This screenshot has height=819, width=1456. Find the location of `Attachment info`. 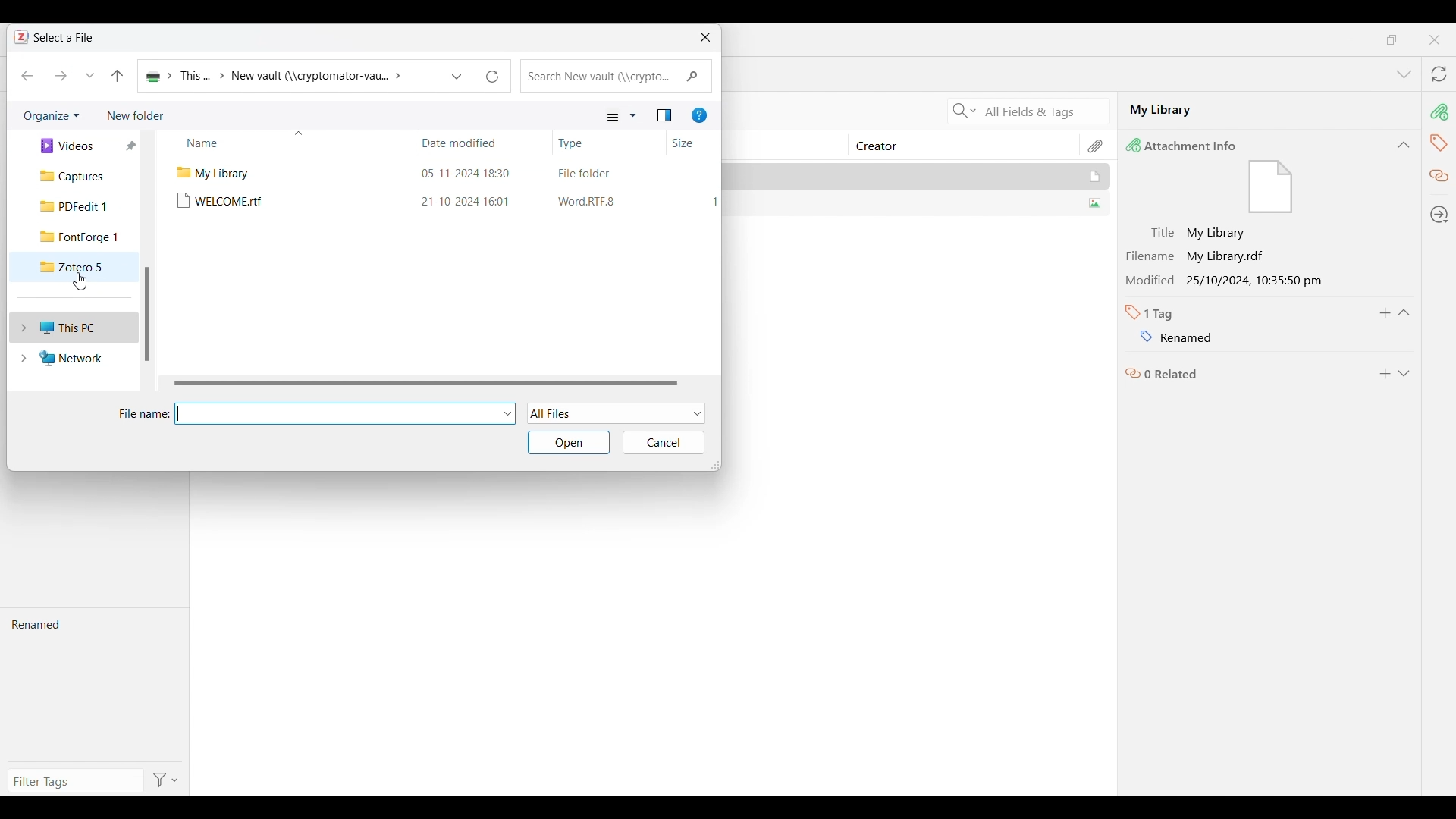

Attachment info is located at coordinates (1437, 112).